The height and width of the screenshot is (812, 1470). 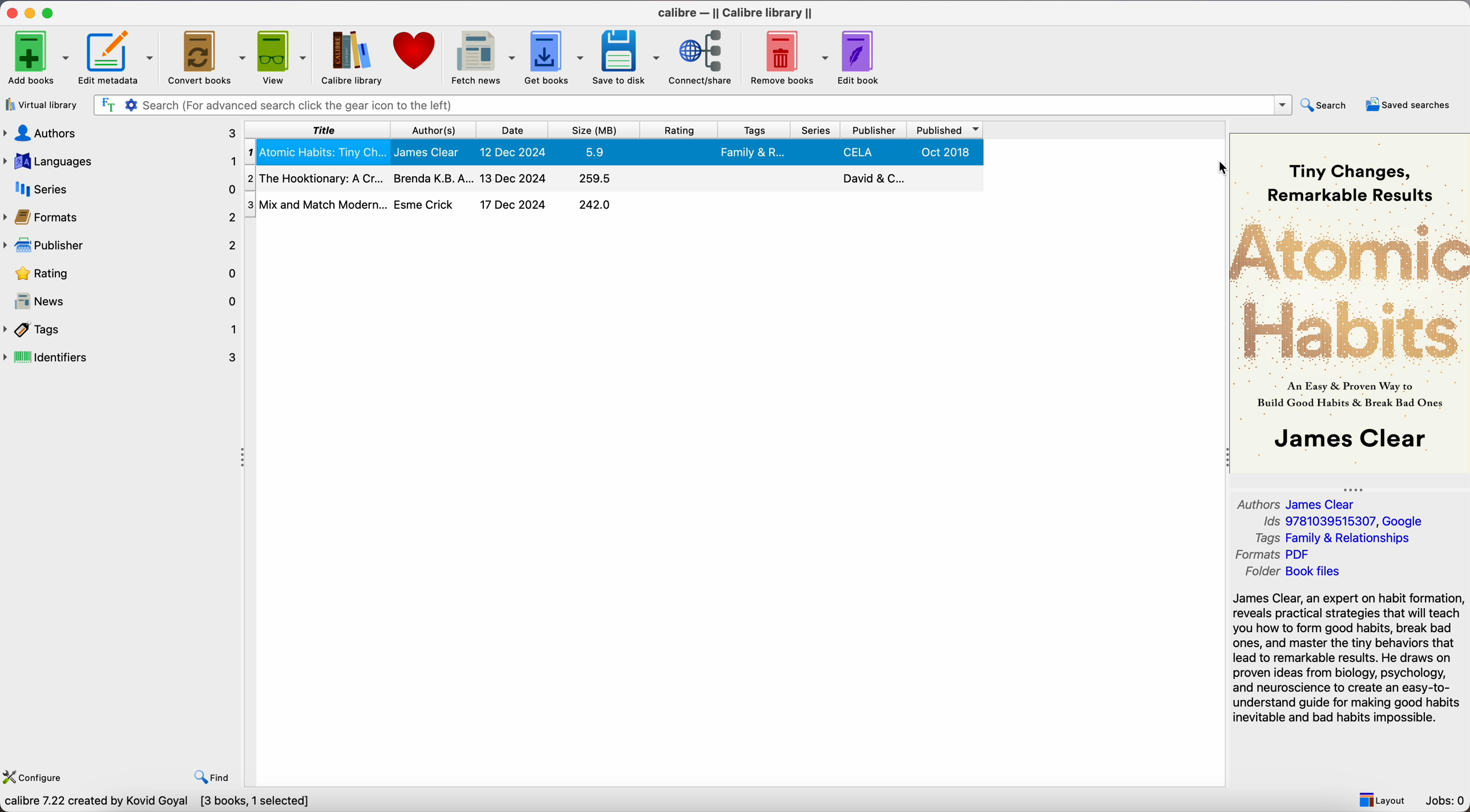 I want to click on Configure, so click(x=35, y=778).